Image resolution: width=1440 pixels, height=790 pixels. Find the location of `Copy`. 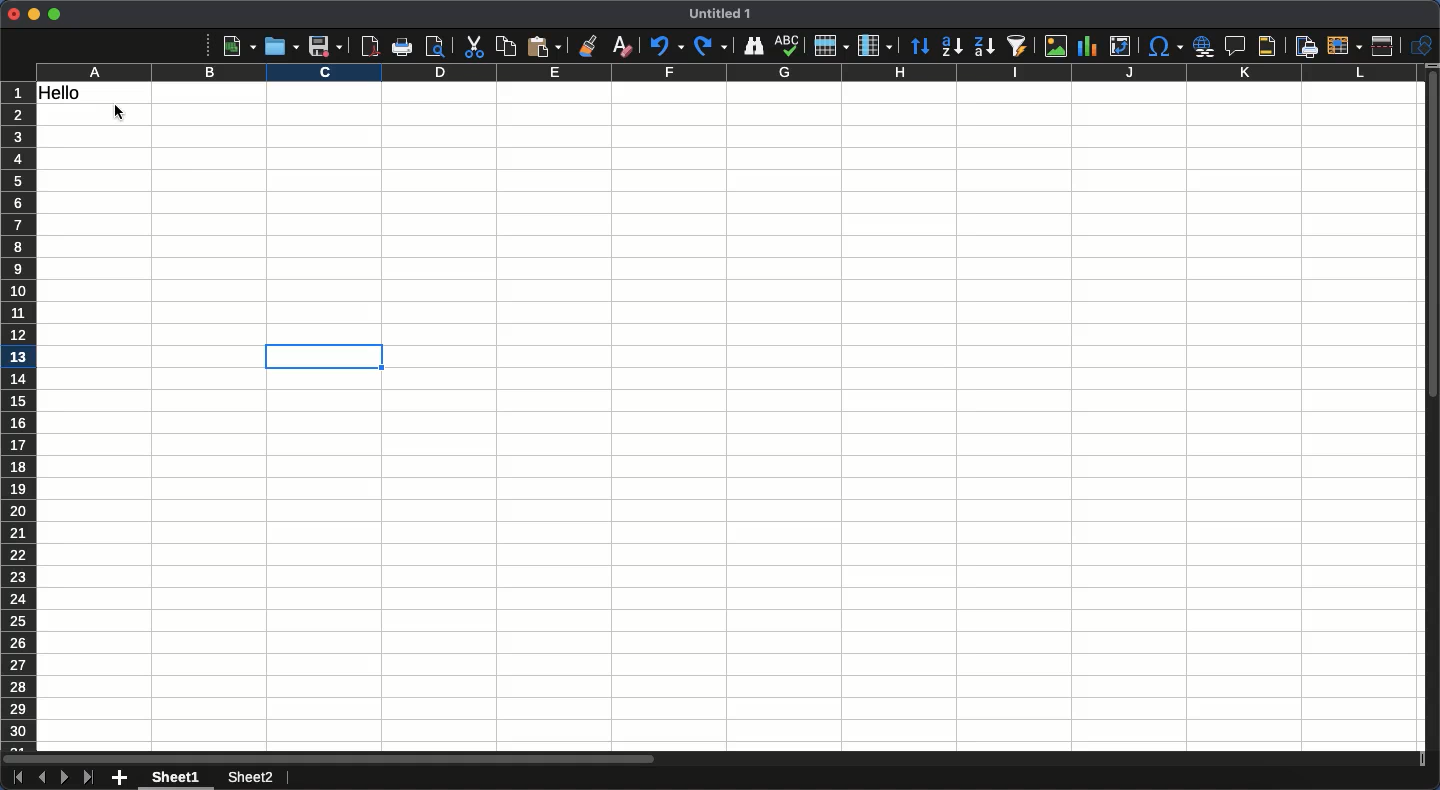

Copy is located at coordinates (506, 46).